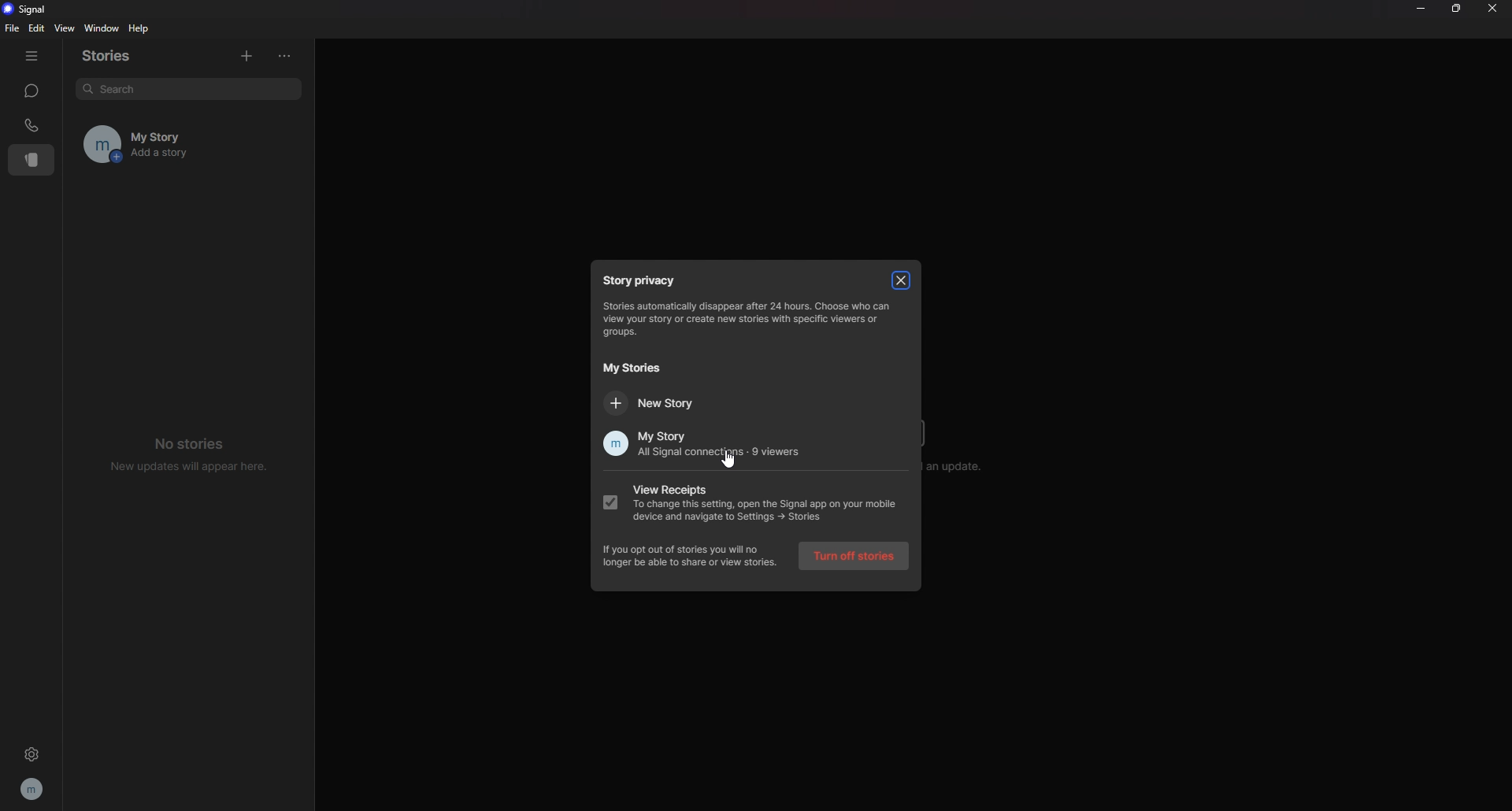  I want to click on close, so click(1492, 7).